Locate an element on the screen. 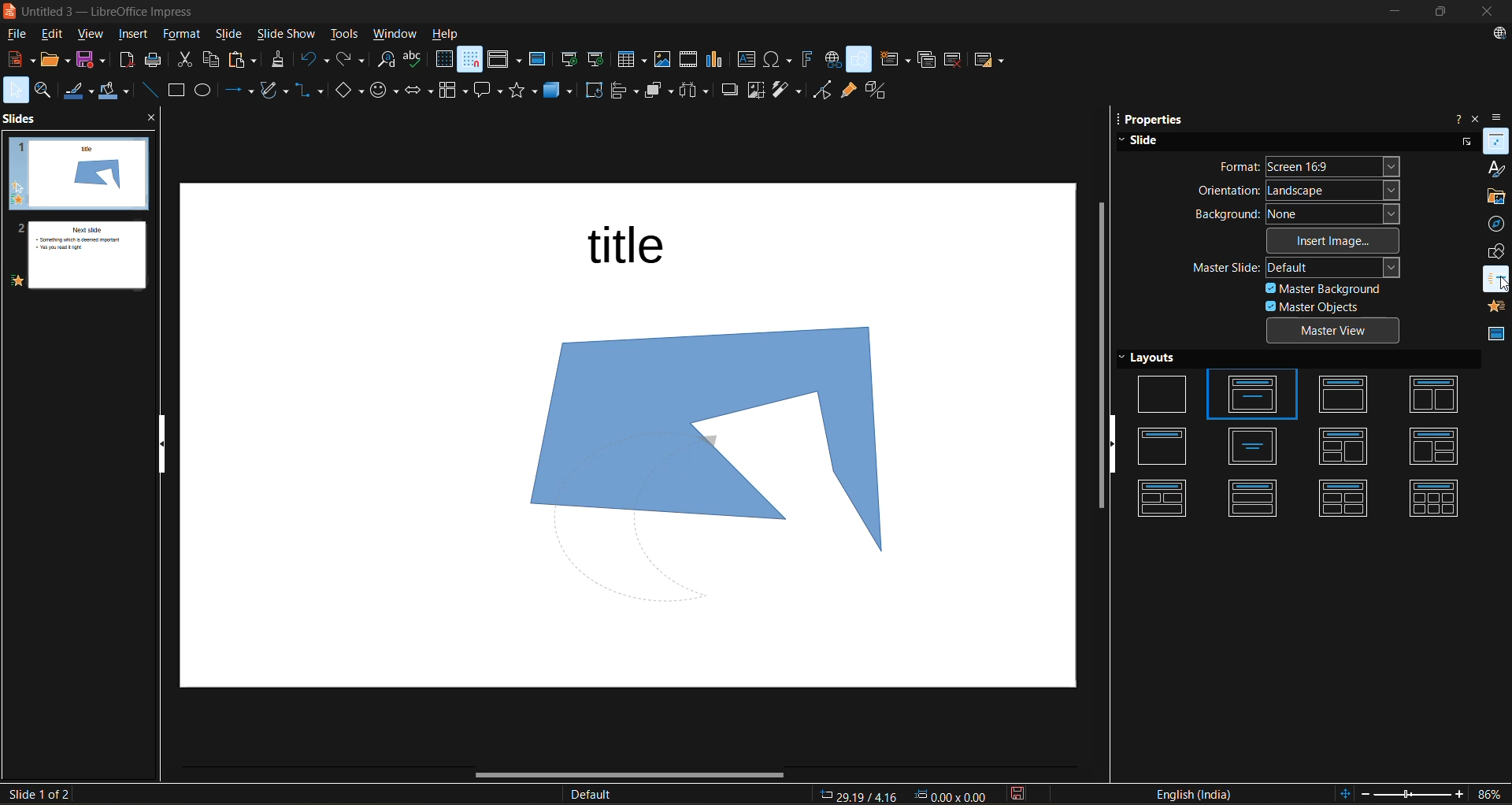  minimize is located at coordinates (1399, 9).